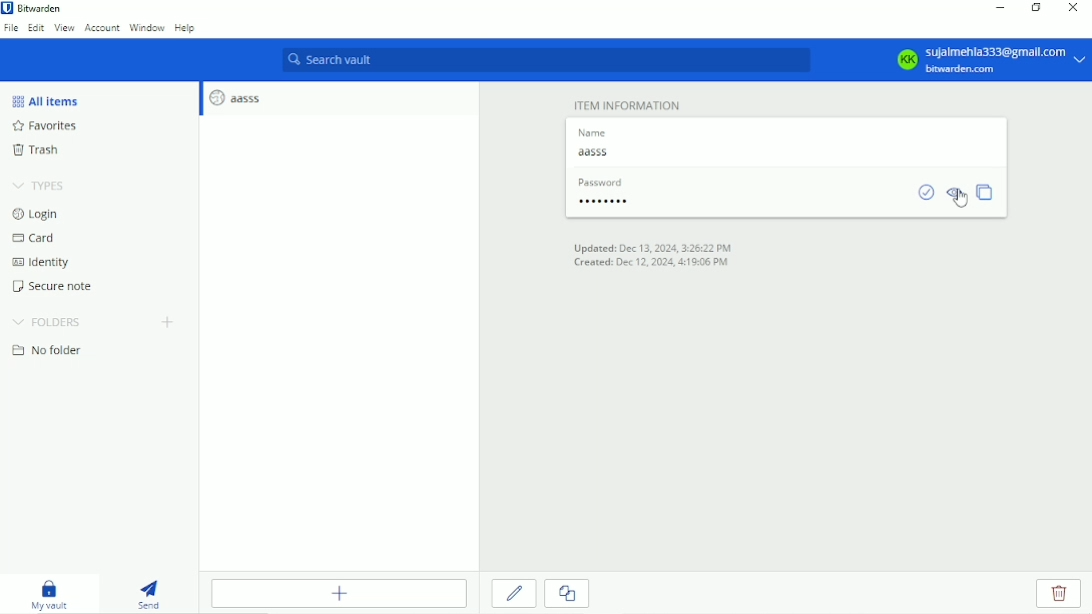 The width and height of the screenshot is (1092, 614). Describe the element at coordinates (336, 594) in the screenshot. I see `Add item` at that location.